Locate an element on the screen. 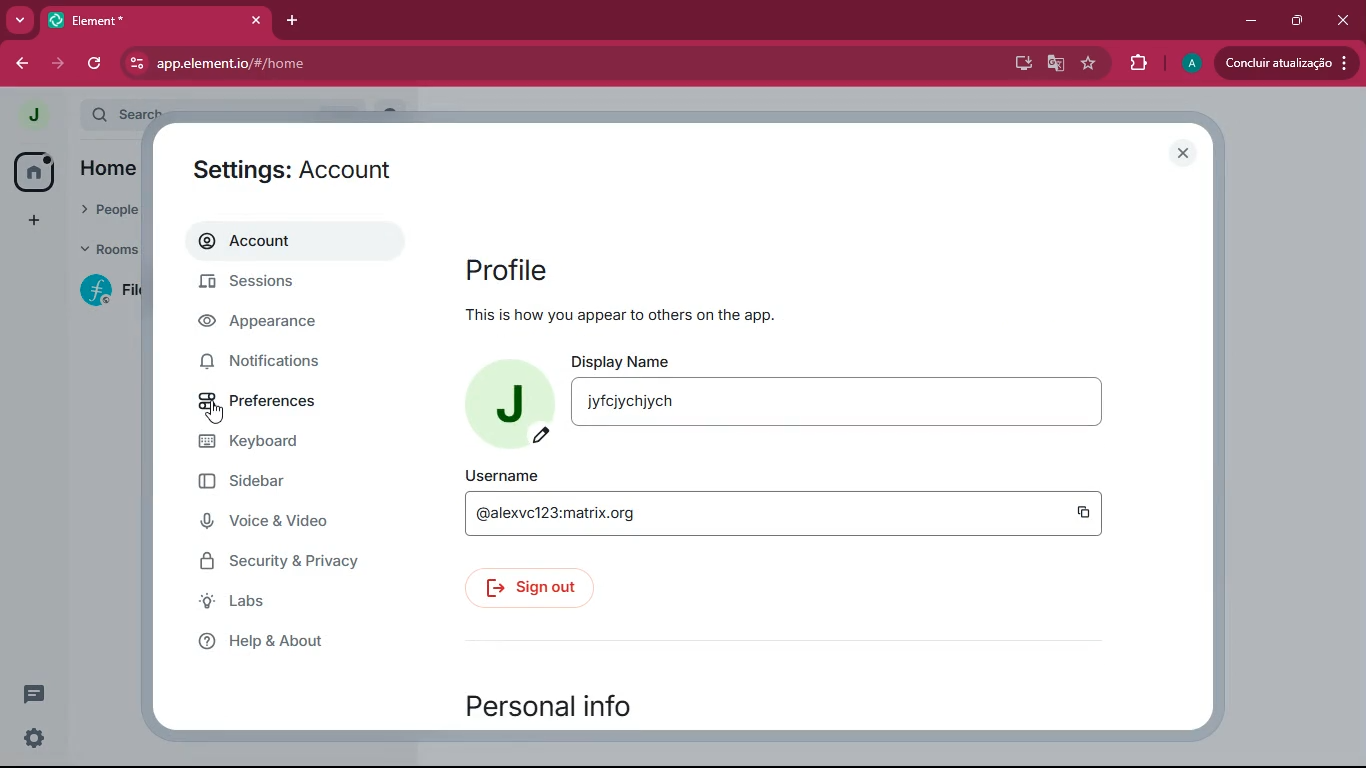 The image size is (1366, 768). maximize is located at coordinates (1299, 21).